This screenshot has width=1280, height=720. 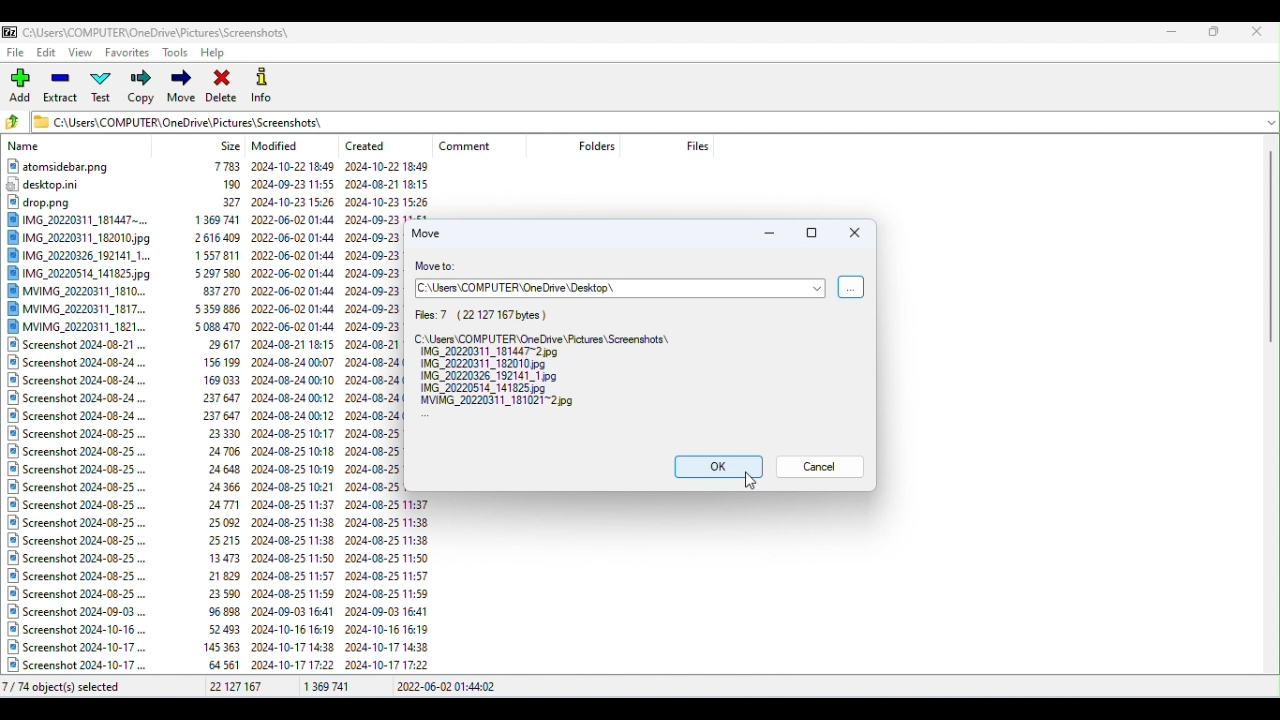 I want to click on Files, so click(x=549, y=359).